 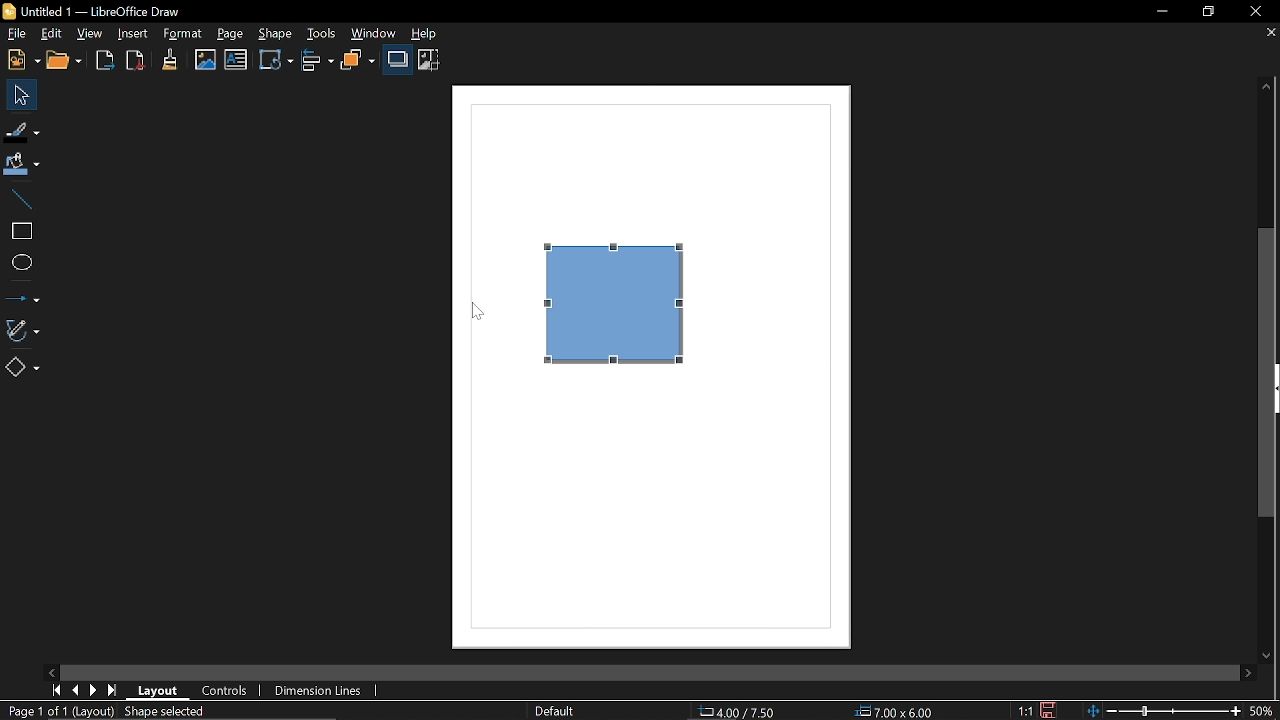 I want to click on Fill color, so click(x=25, y=161).